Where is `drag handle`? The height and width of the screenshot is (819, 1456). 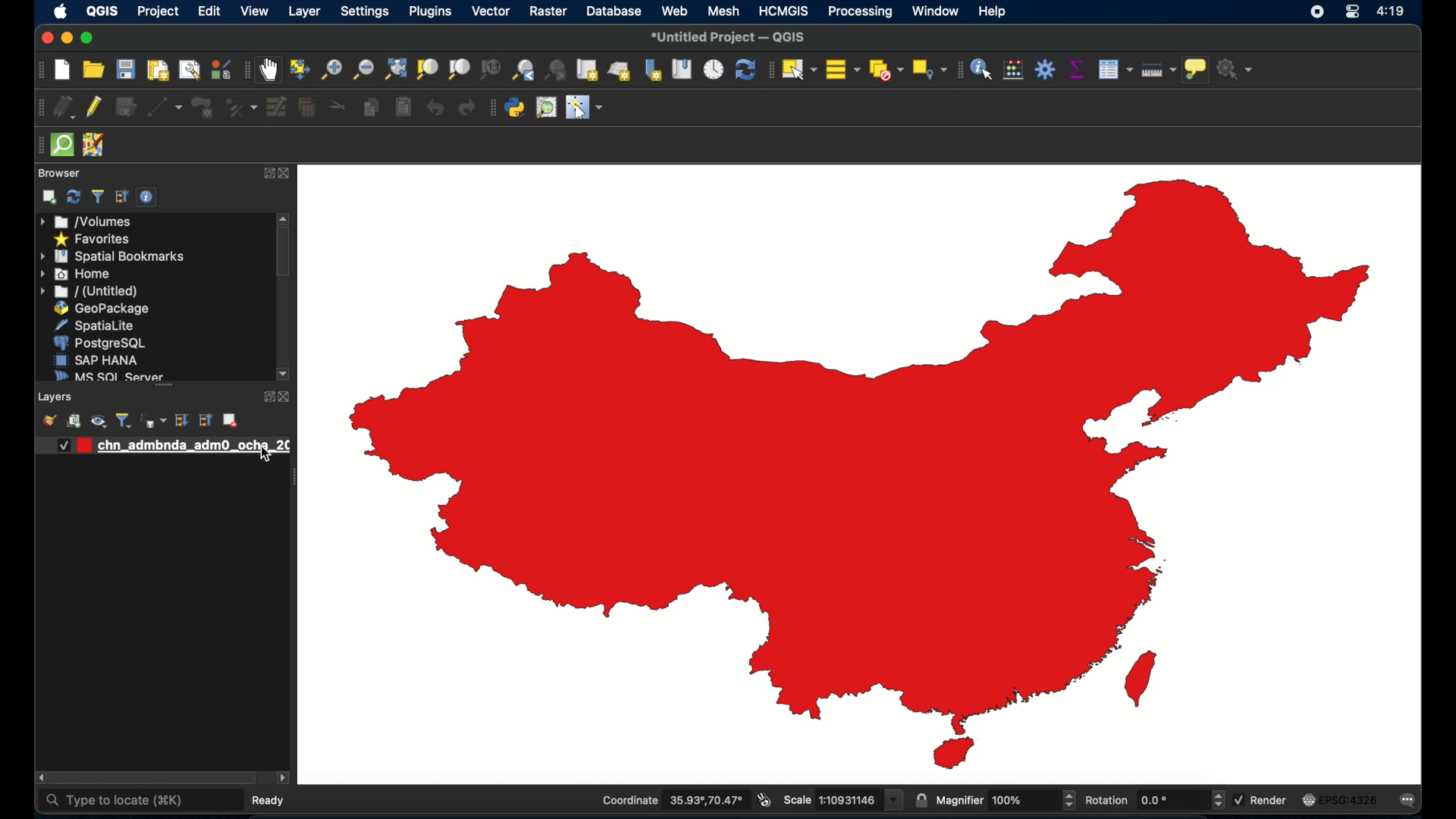
drag handle is located at coordinates (293, 479).